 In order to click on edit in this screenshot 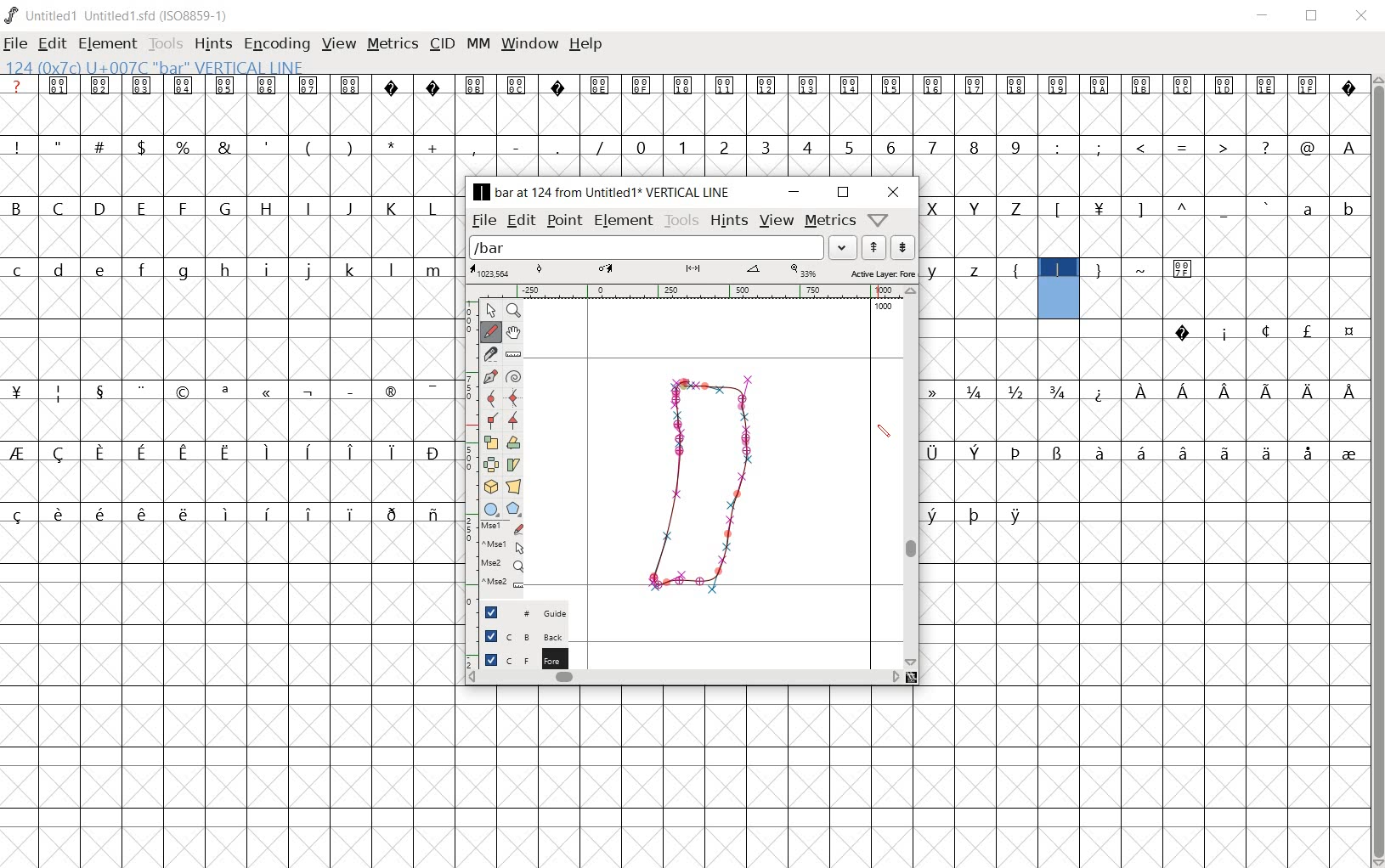, I will do `click(519, 221)`.